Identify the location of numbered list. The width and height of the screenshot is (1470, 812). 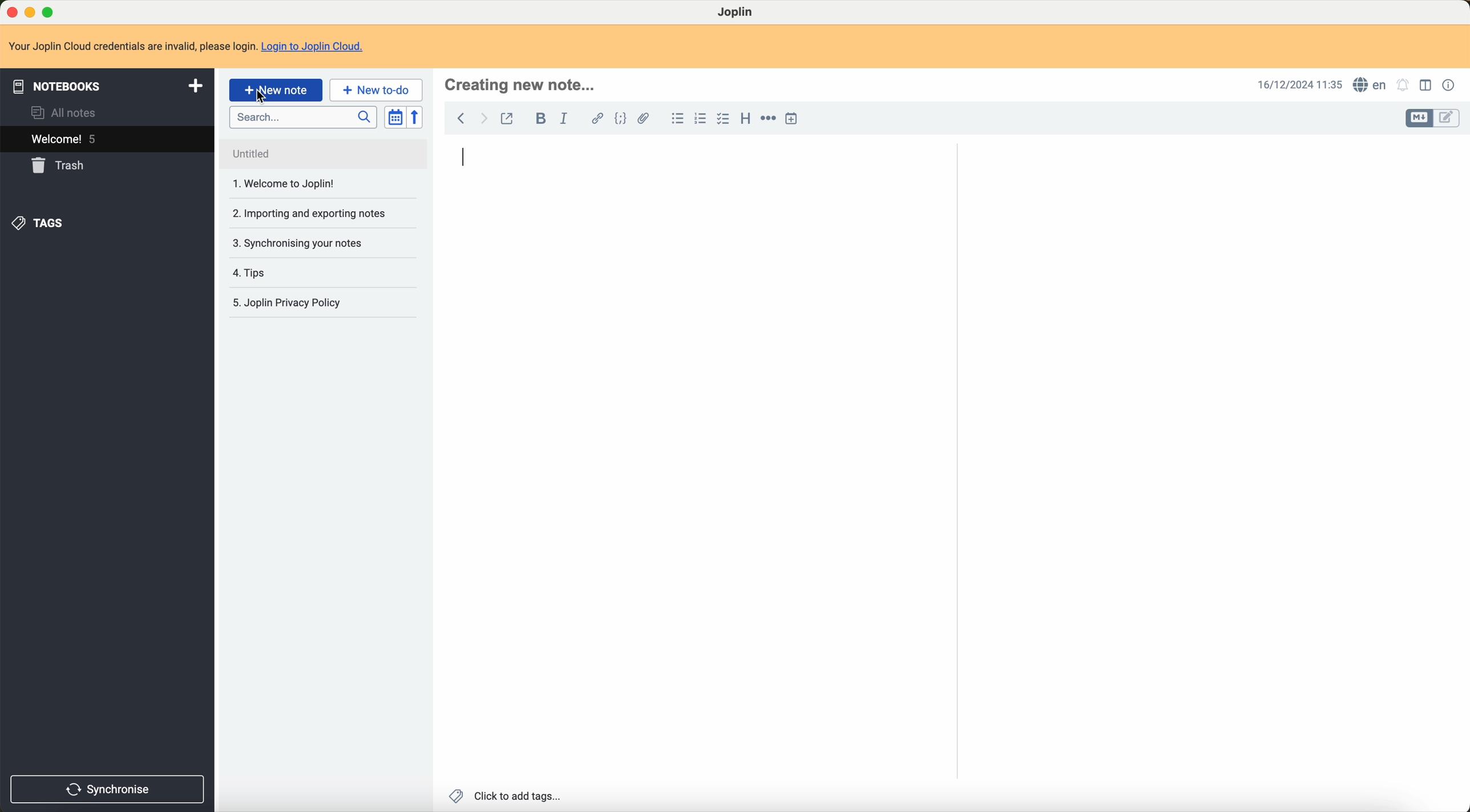
(701, 120).